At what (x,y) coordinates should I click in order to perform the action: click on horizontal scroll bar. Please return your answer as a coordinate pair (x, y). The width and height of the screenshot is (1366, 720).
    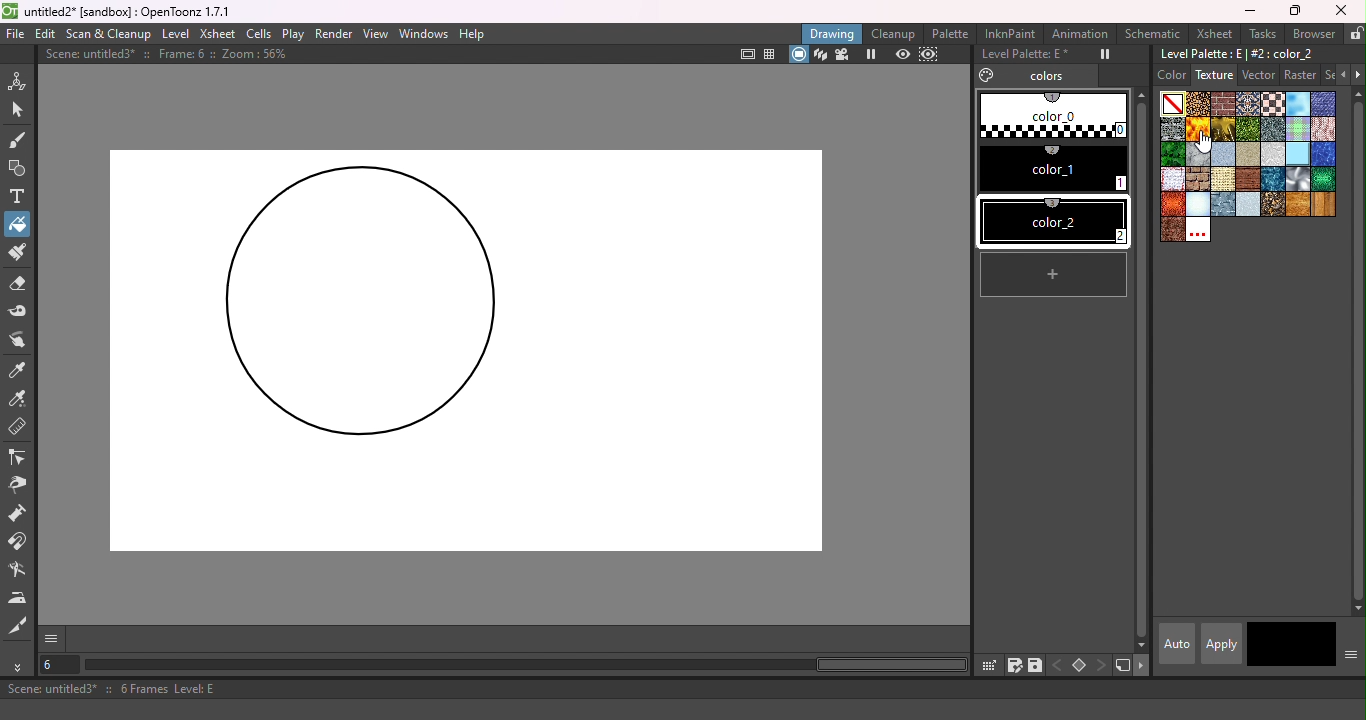
    Looking at the image, I should click on (527, 665).